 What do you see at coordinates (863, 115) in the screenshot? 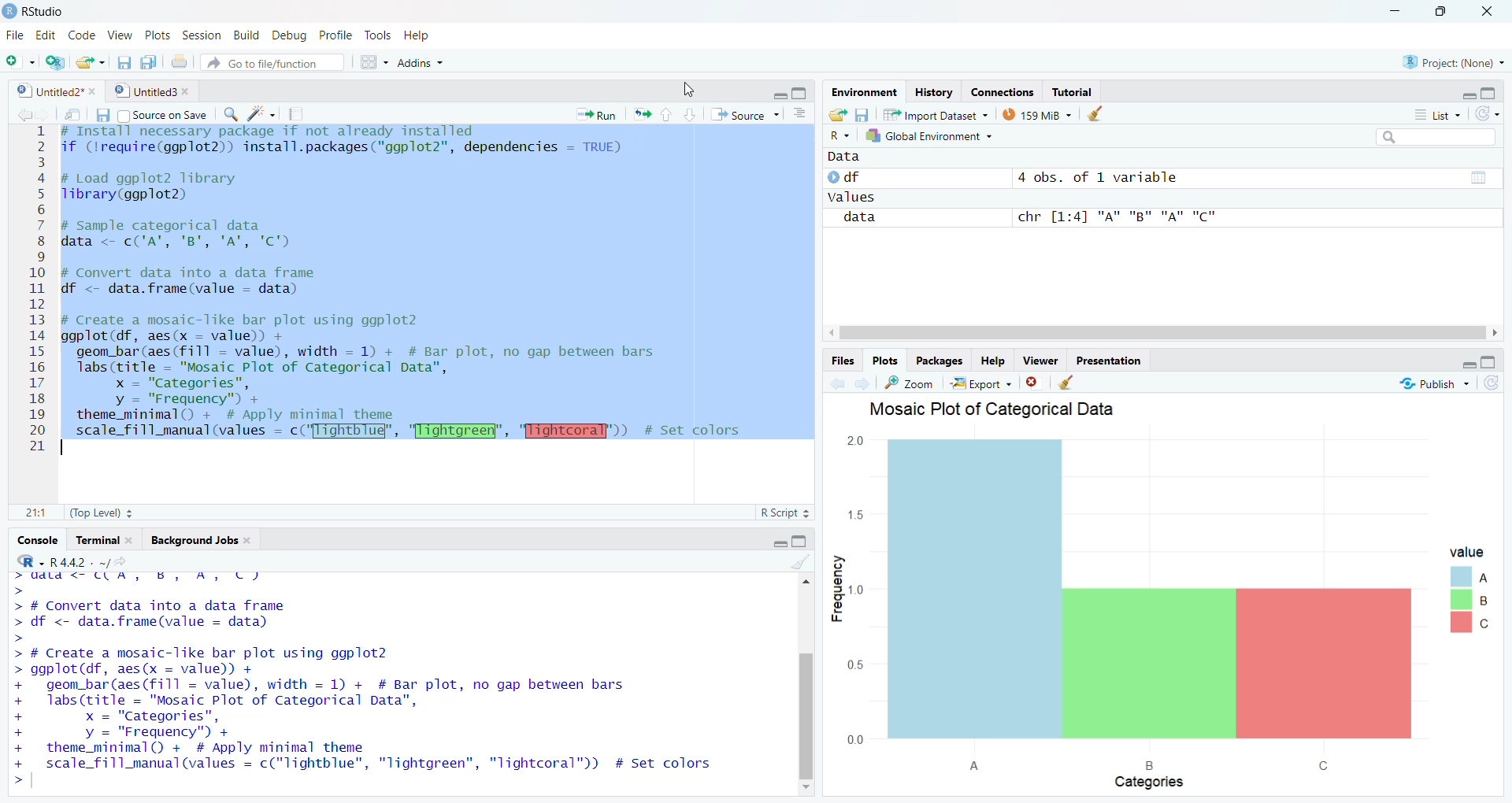
I see `Save` at bounding box center [863, 115].